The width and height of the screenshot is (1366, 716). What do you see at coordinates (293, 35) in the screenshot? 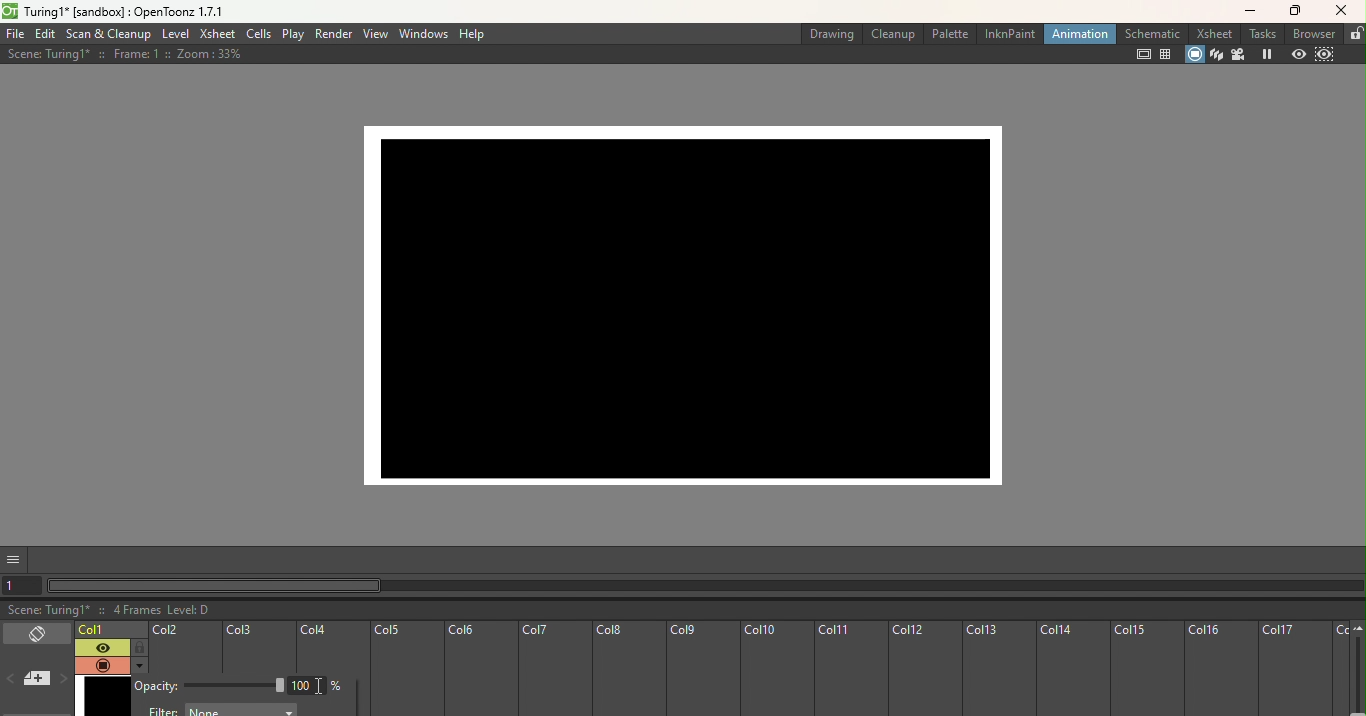
I see `Play` at bounding box center [293, 35].